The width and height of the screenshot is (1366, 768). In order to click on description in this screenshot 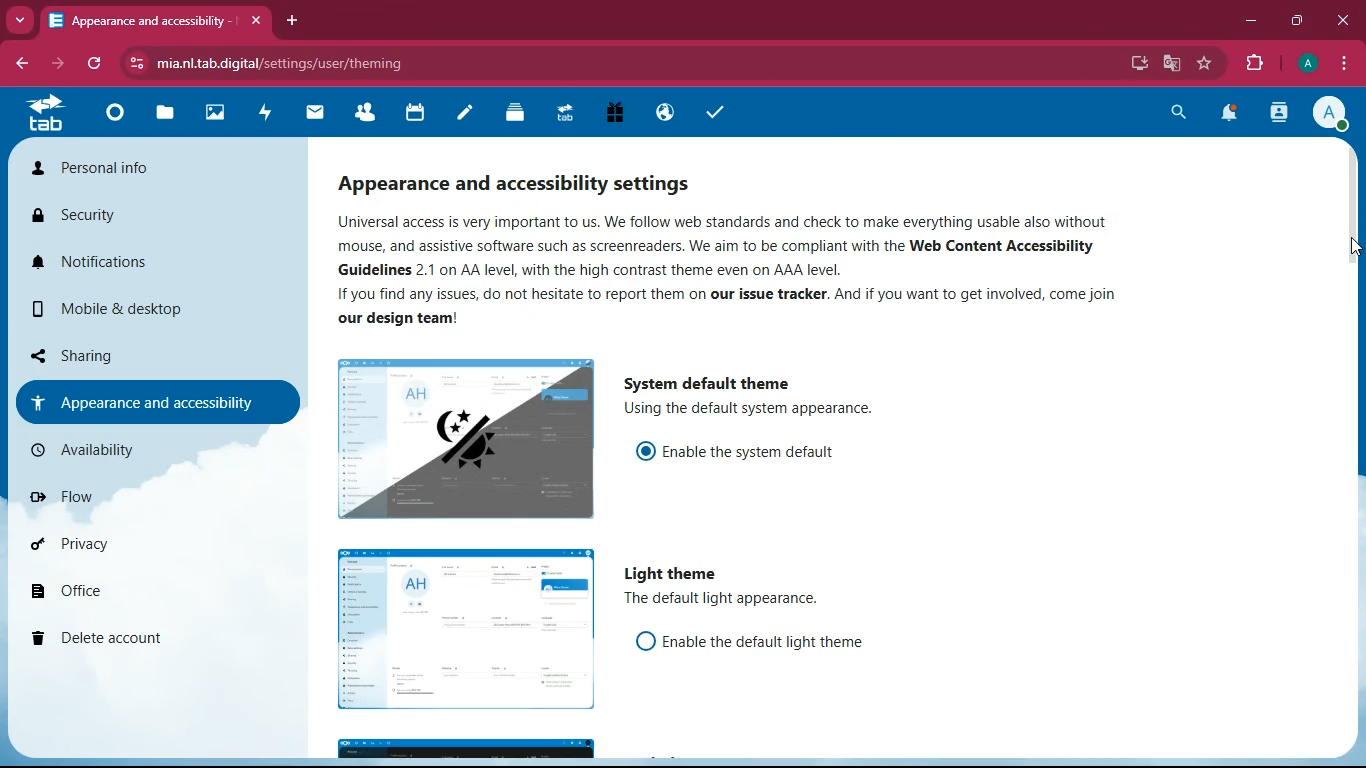, I will do `click(750, 270)`.